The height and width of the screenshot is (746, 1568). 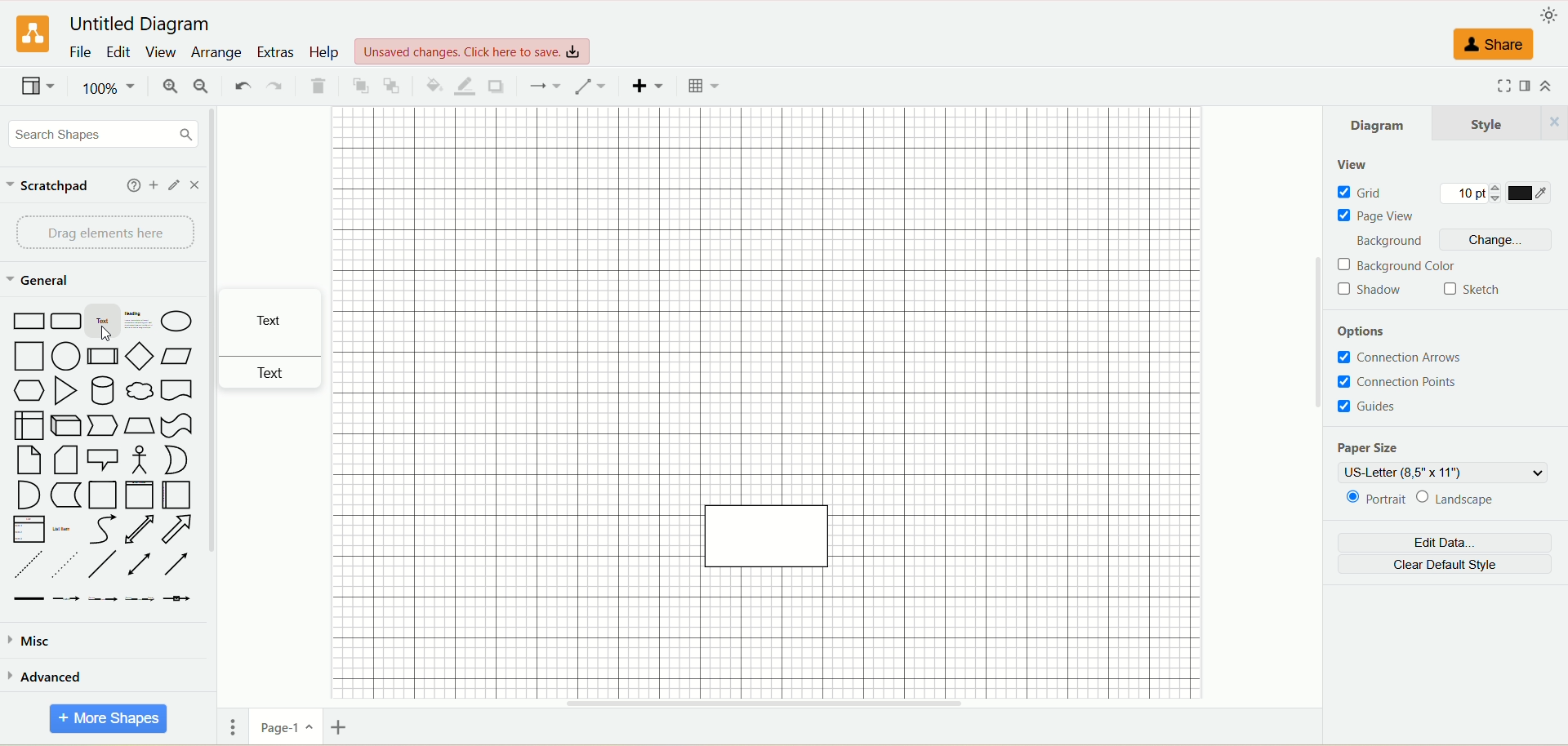 What do you see at coordinates (1445, 469) in the screenshot?
I see `US letter` at bounding box center [1445, 469].